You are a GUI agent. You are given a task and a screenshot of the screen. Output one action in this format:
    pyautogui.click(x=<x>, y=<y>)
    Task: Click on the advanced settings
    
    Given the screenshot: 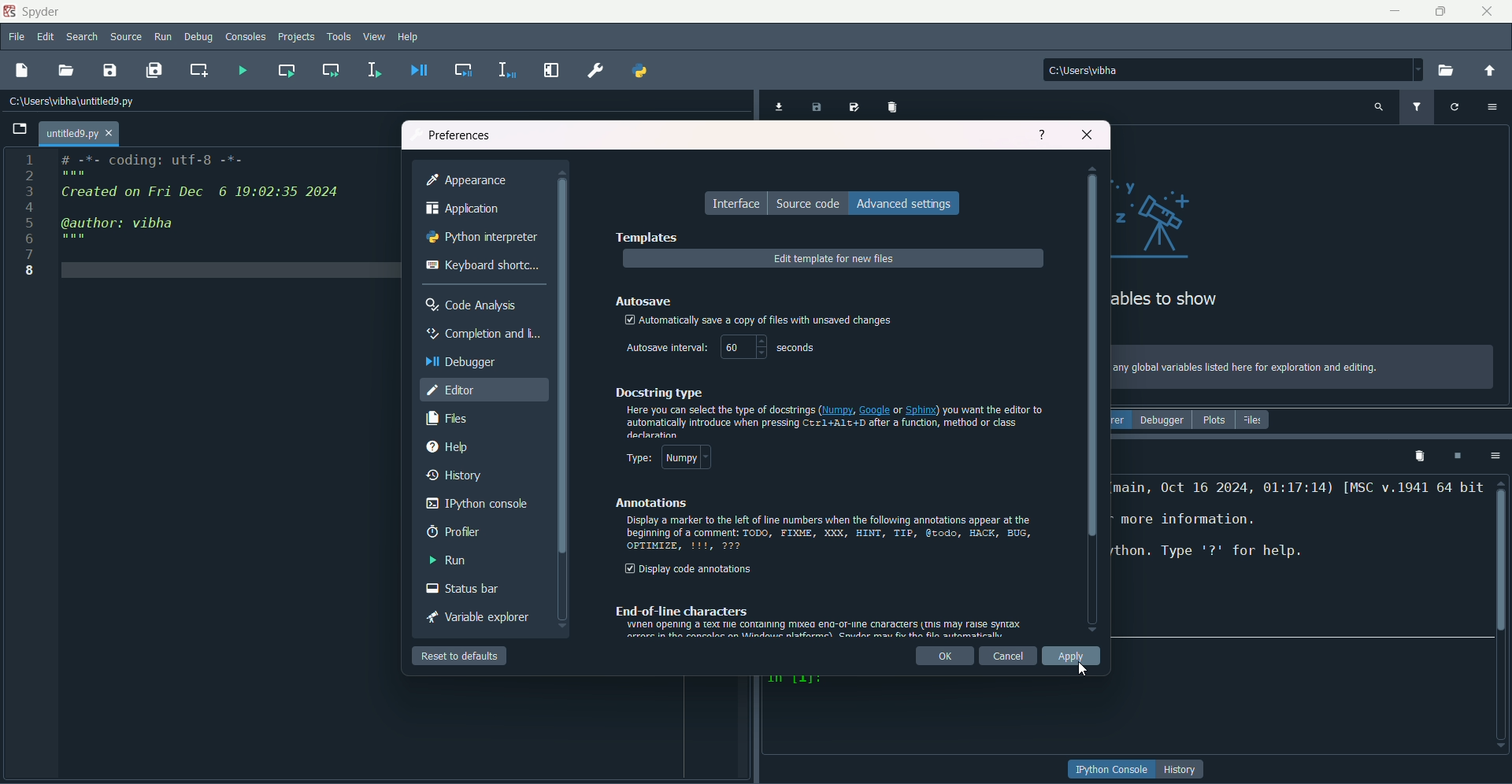 What is the action you would take?
    pyautogui.click(x=905, y=203)
    